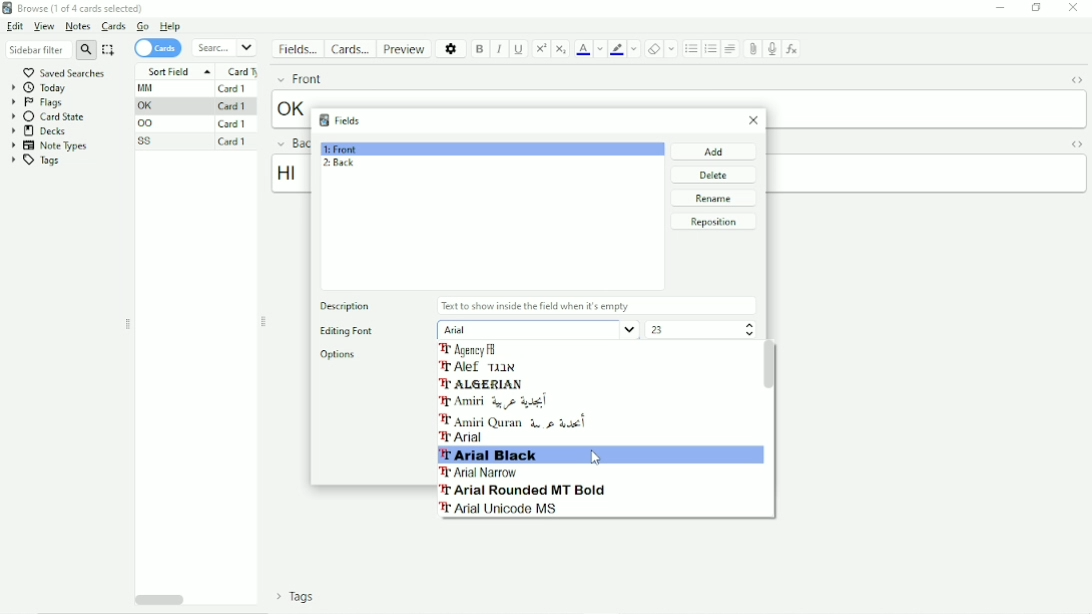 The width and height of the screenshot is (1092, 614). What do you see at coordinates (291, 599) in the screenshot?
I see `Tags` at bounding box center [291, 599].